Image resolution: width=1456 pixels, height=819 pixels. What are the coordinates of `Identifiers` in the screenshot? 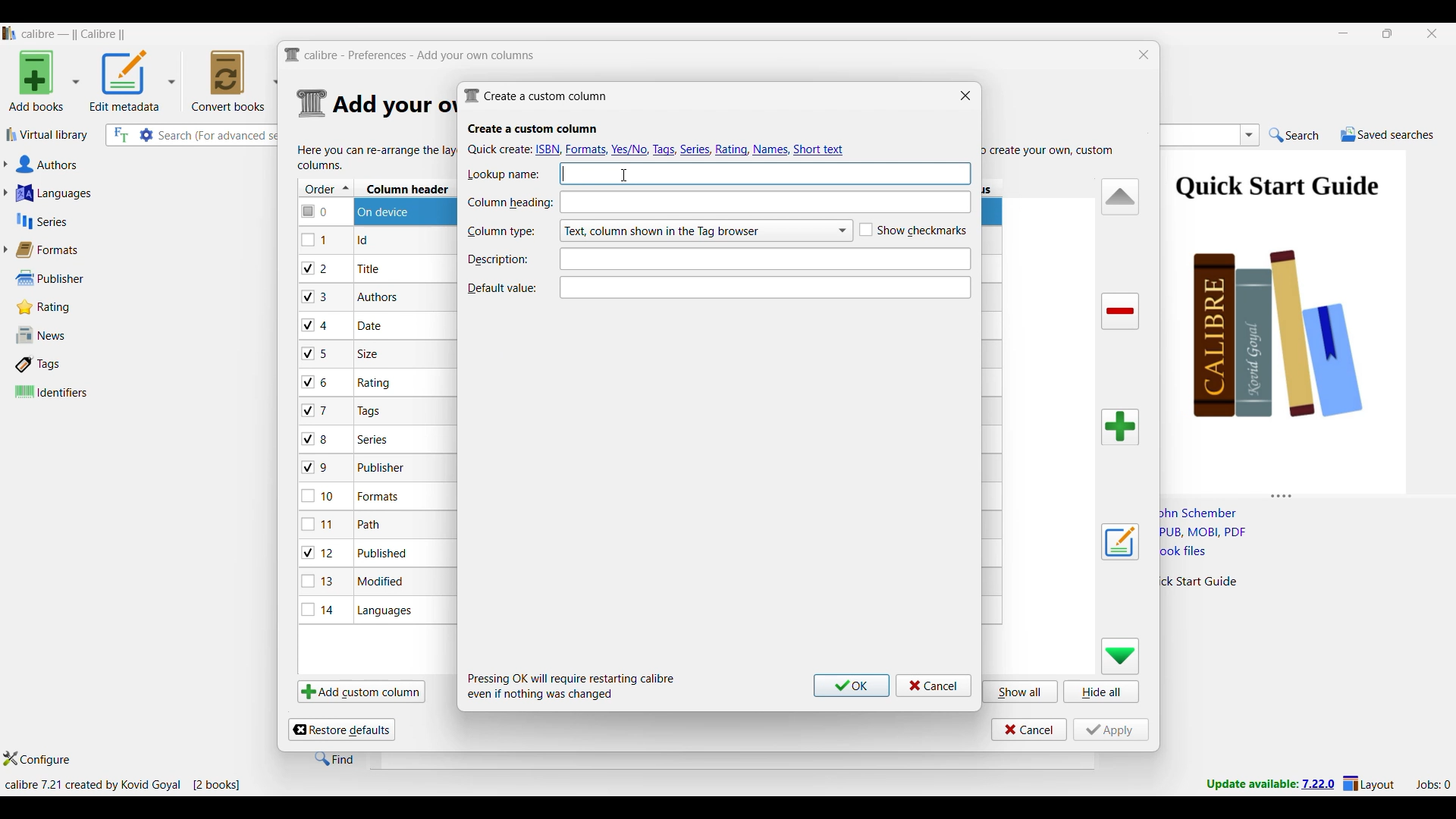 It's located at (74, 391).